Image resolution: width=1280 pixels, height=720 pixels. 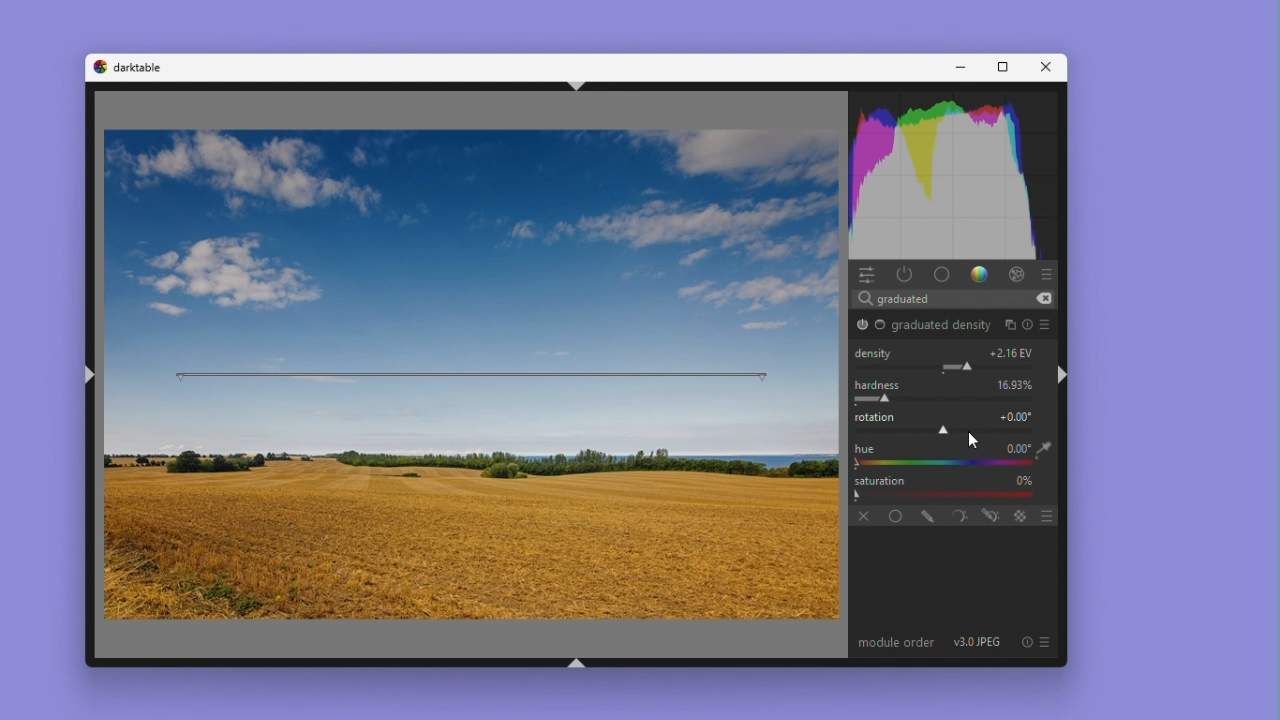 I want to click on +0.00, so click(x=1015, y=416).